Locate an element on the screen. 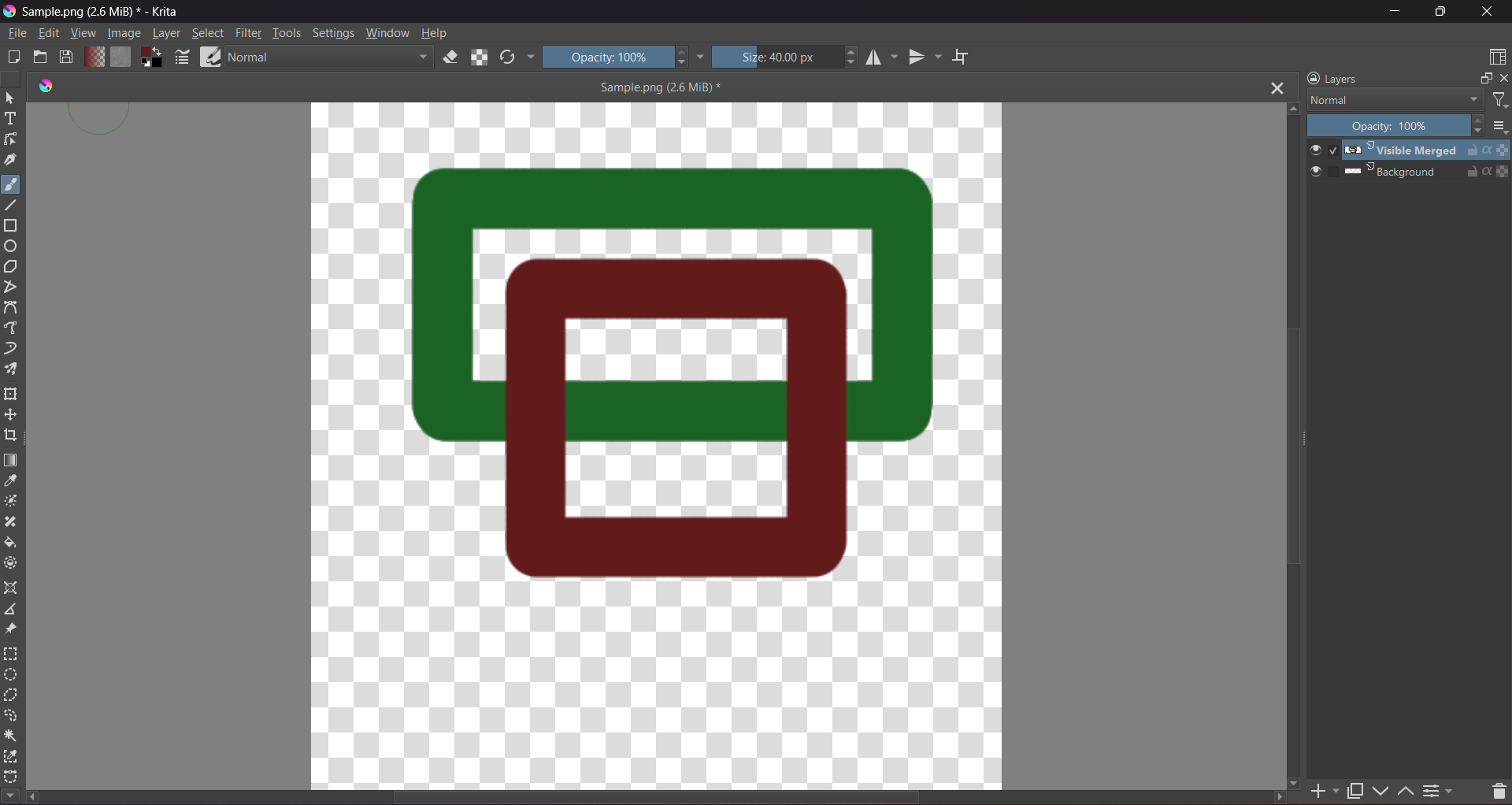 Image resolution: width=1512 pixels, height=805 pixels. Size options is located at coordinates (1499, 127).